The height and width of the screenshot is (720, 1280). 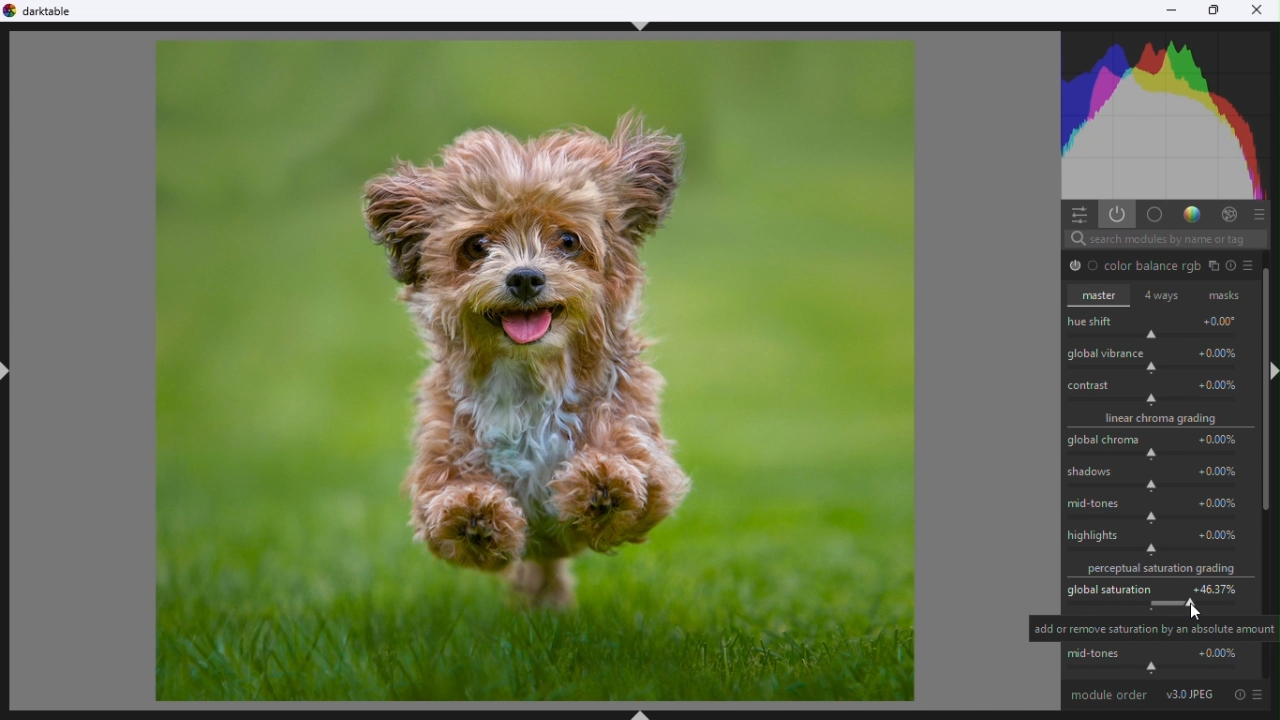 I want to click on Gradient, so click(x=1192, y=215).